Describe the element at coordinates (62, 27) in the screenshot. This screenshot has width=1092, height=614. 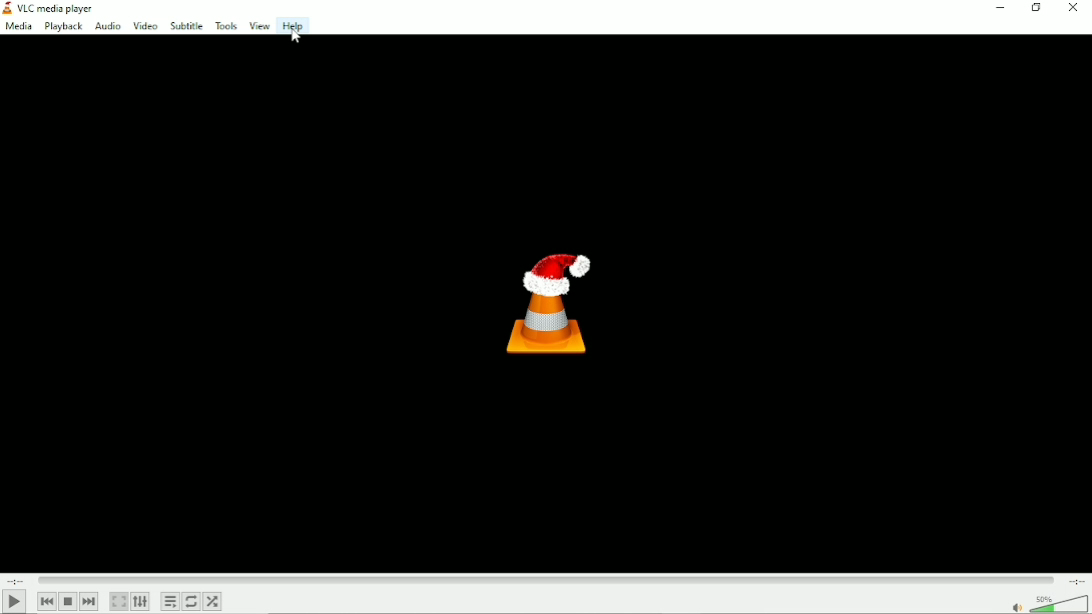
I see `Playback` at that location.